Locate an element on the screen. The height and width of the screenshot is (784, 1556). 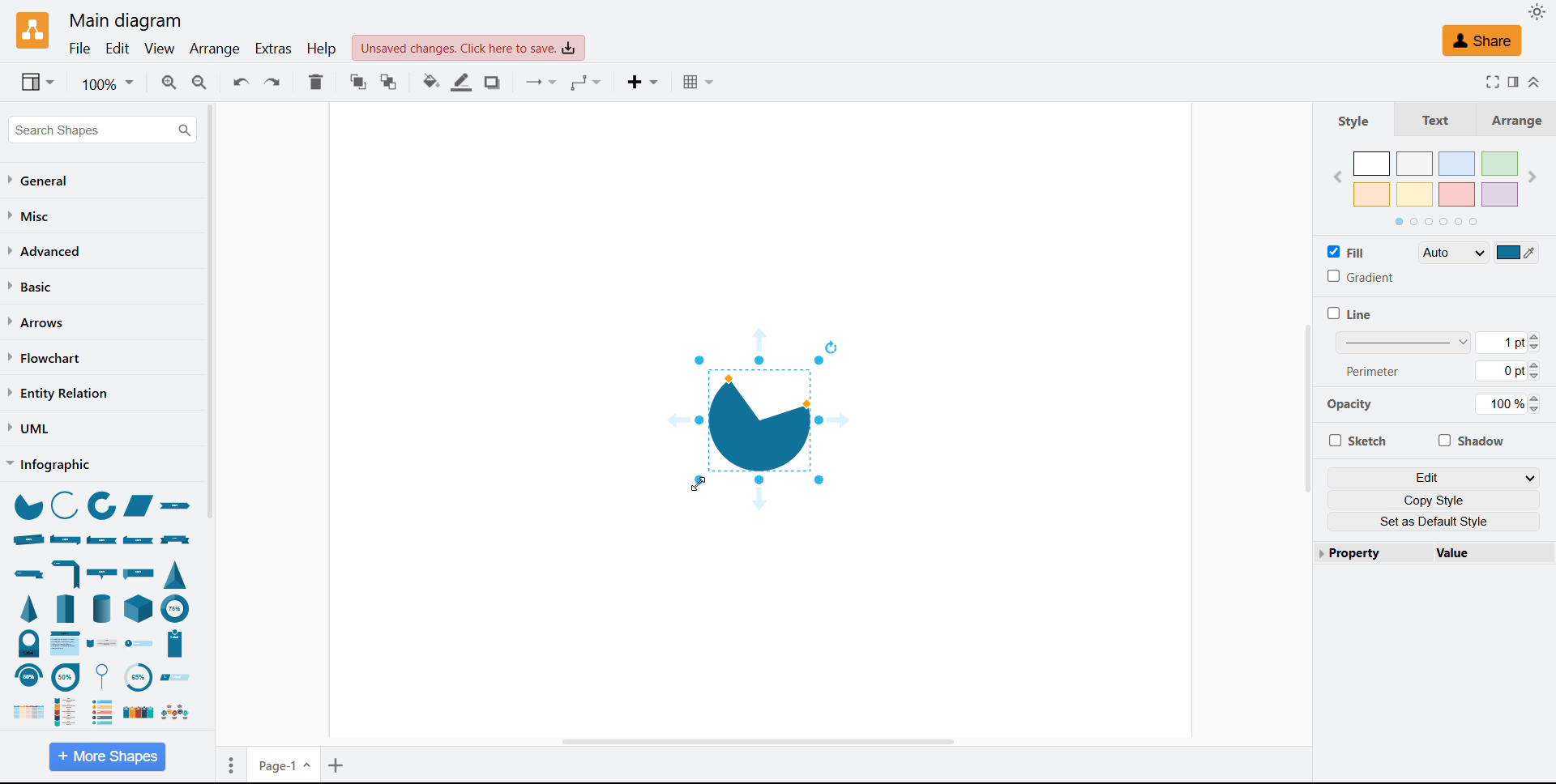
to Back   is located at coordinates (389, 82).